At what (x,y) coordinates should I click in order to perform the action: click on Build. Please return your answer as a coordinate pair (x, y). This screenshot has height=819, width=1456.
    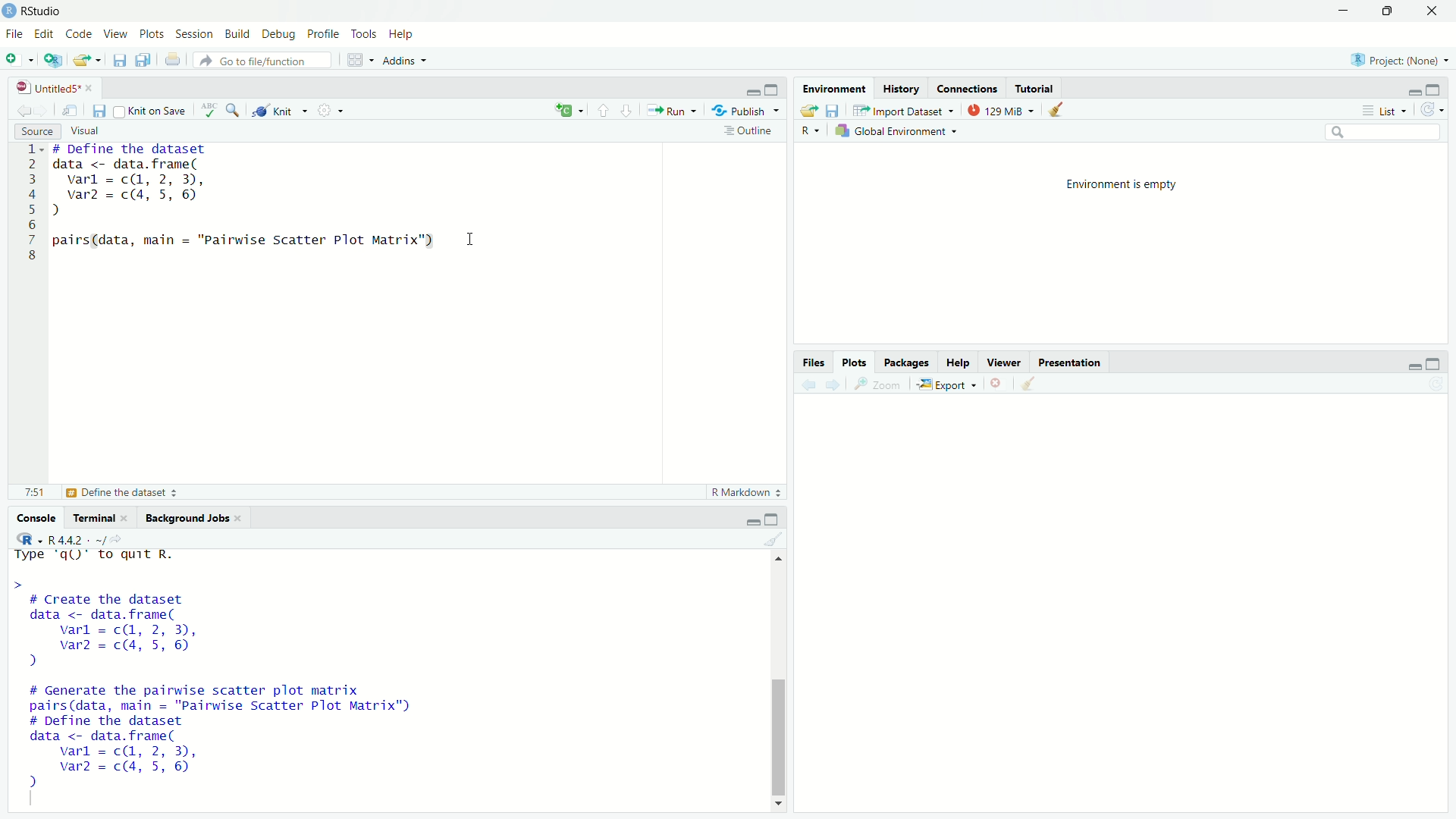
    Looking at the image, I should click on (239, 34).